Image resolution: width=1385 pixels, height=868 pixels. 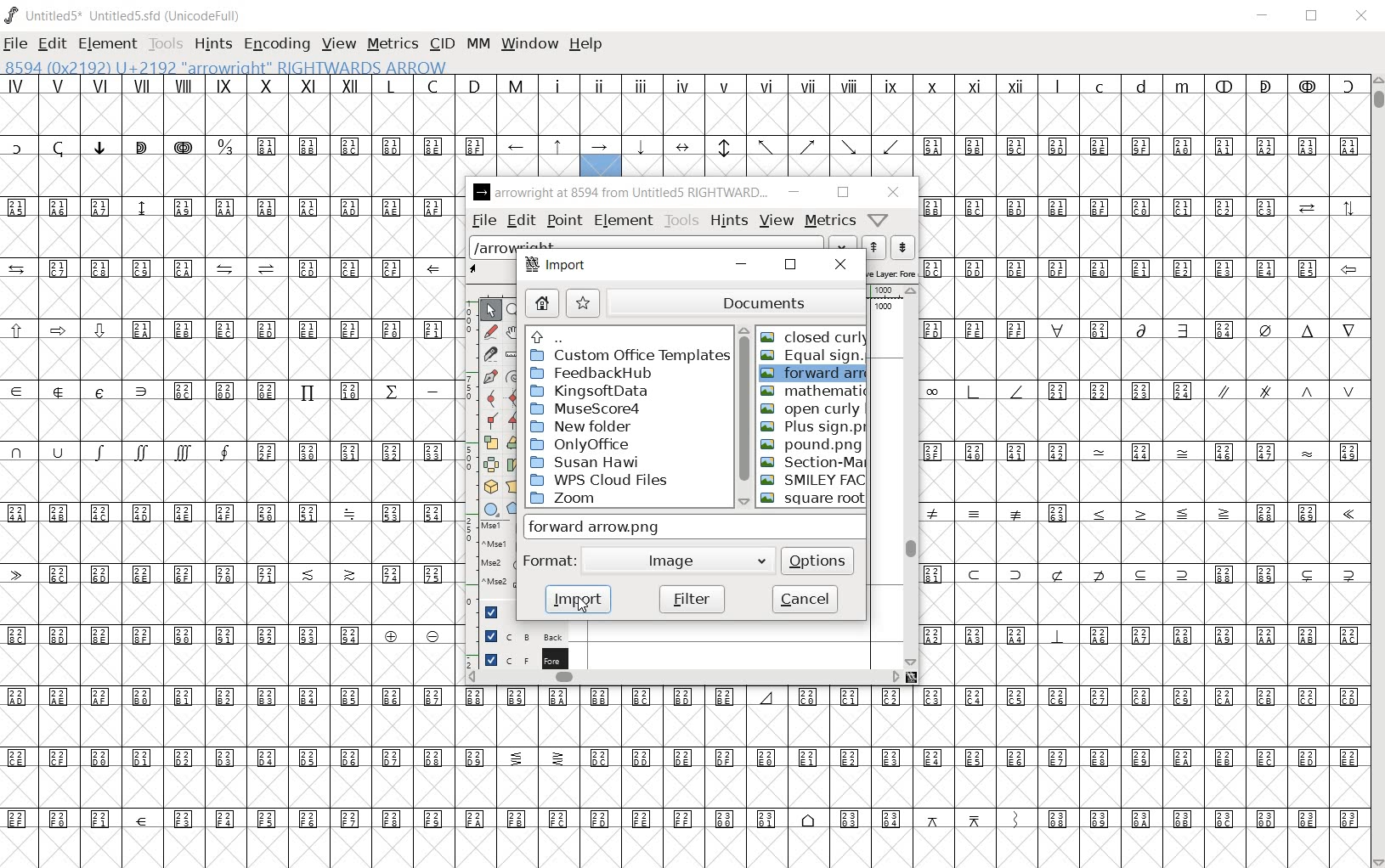 What do you see at coordinates (1361, 18) in the screenshot?
I see `CLOSE` at bounding box center [1361, 18].